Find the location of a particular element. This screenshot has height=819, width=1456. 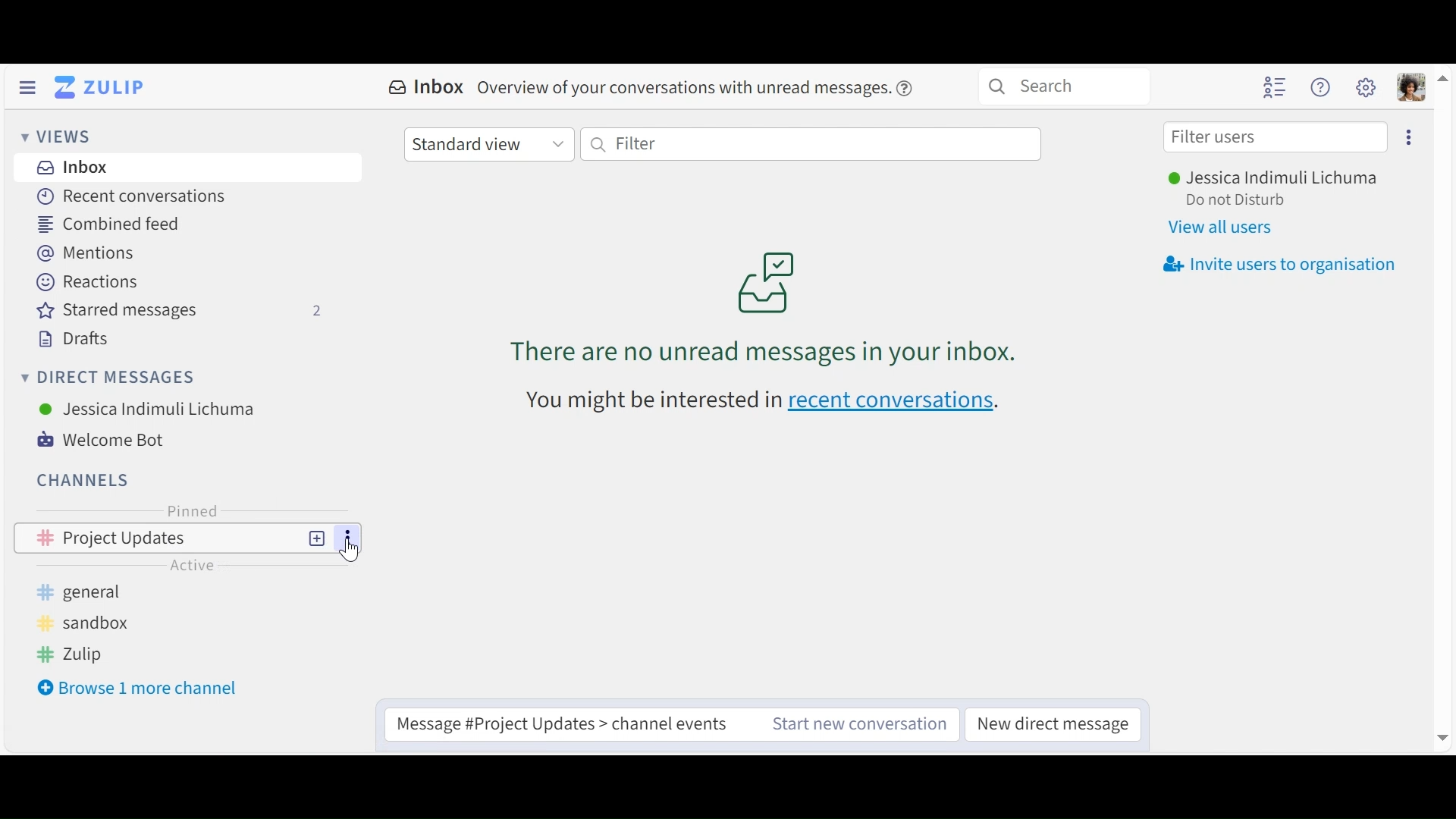

Inbox is located at coordinates (71, 168).